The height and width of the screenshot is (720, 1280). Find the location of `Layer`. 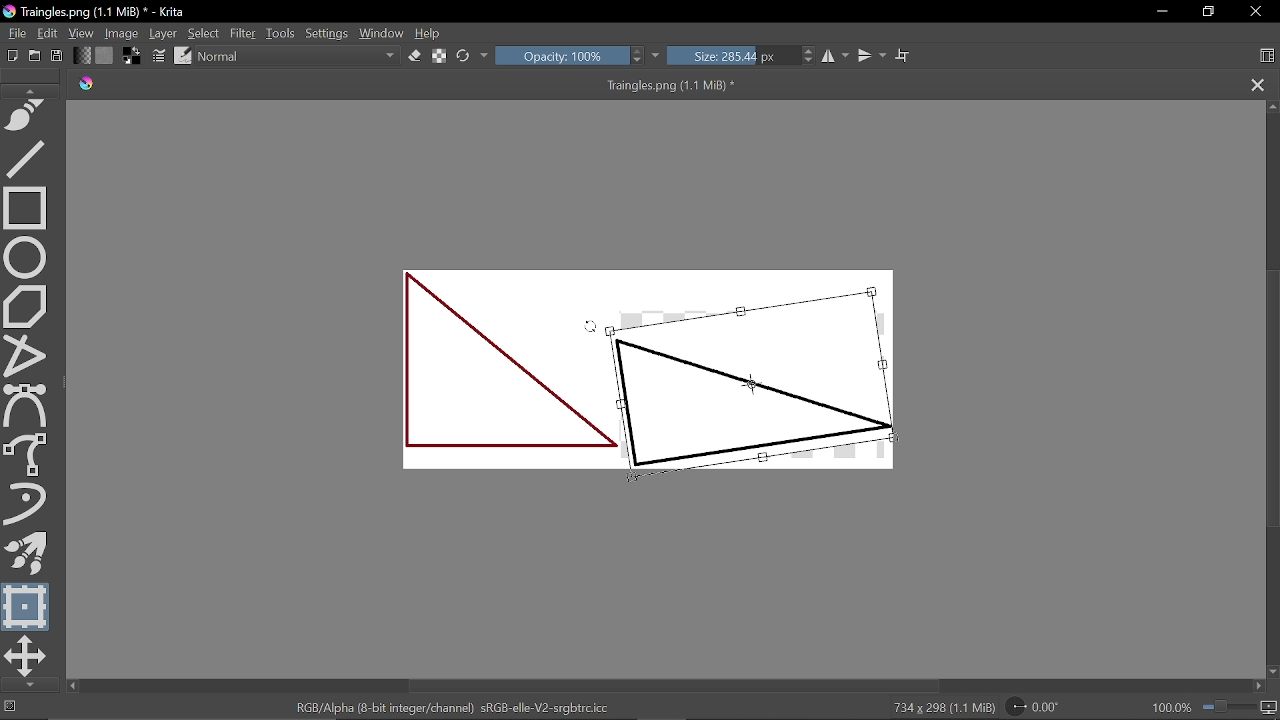

Layer is located at coordinates (164, 34).